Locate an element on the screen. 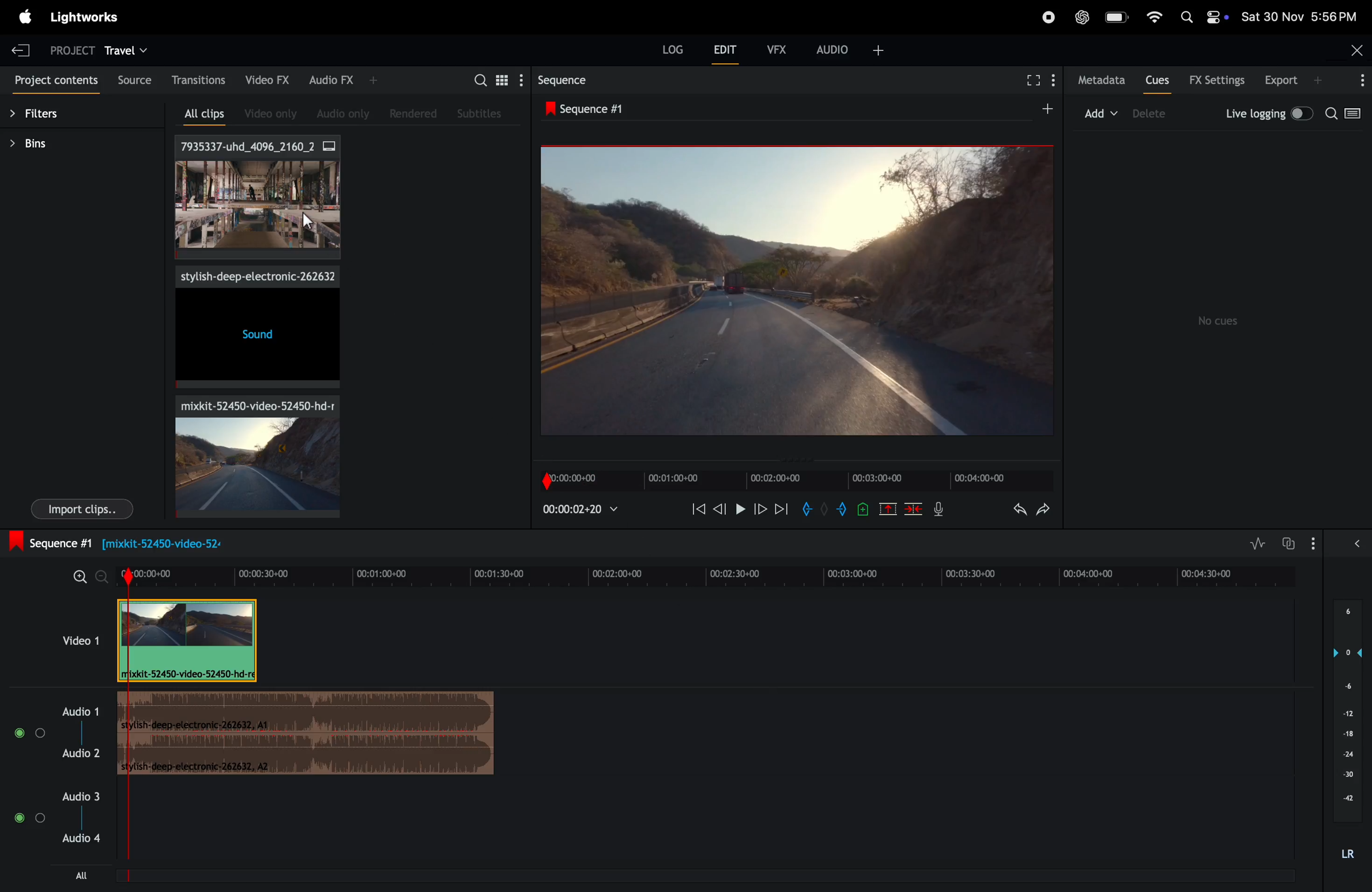 The height and width of the screenshot is (892, 1372). light works is located at coordinates (88, 18).